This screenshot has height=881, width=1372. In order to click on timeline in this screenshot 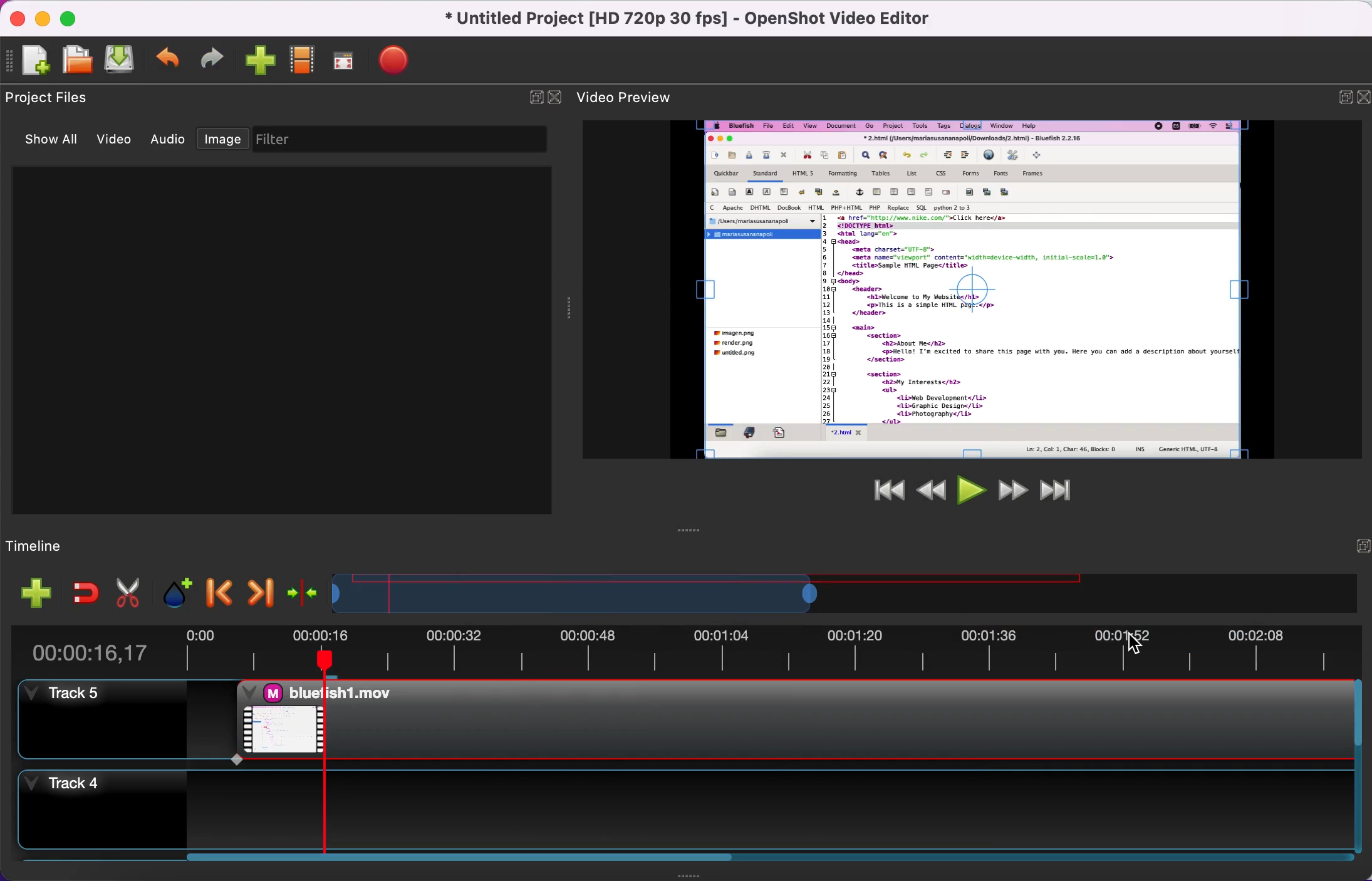, I will do `click(71, 543)`.